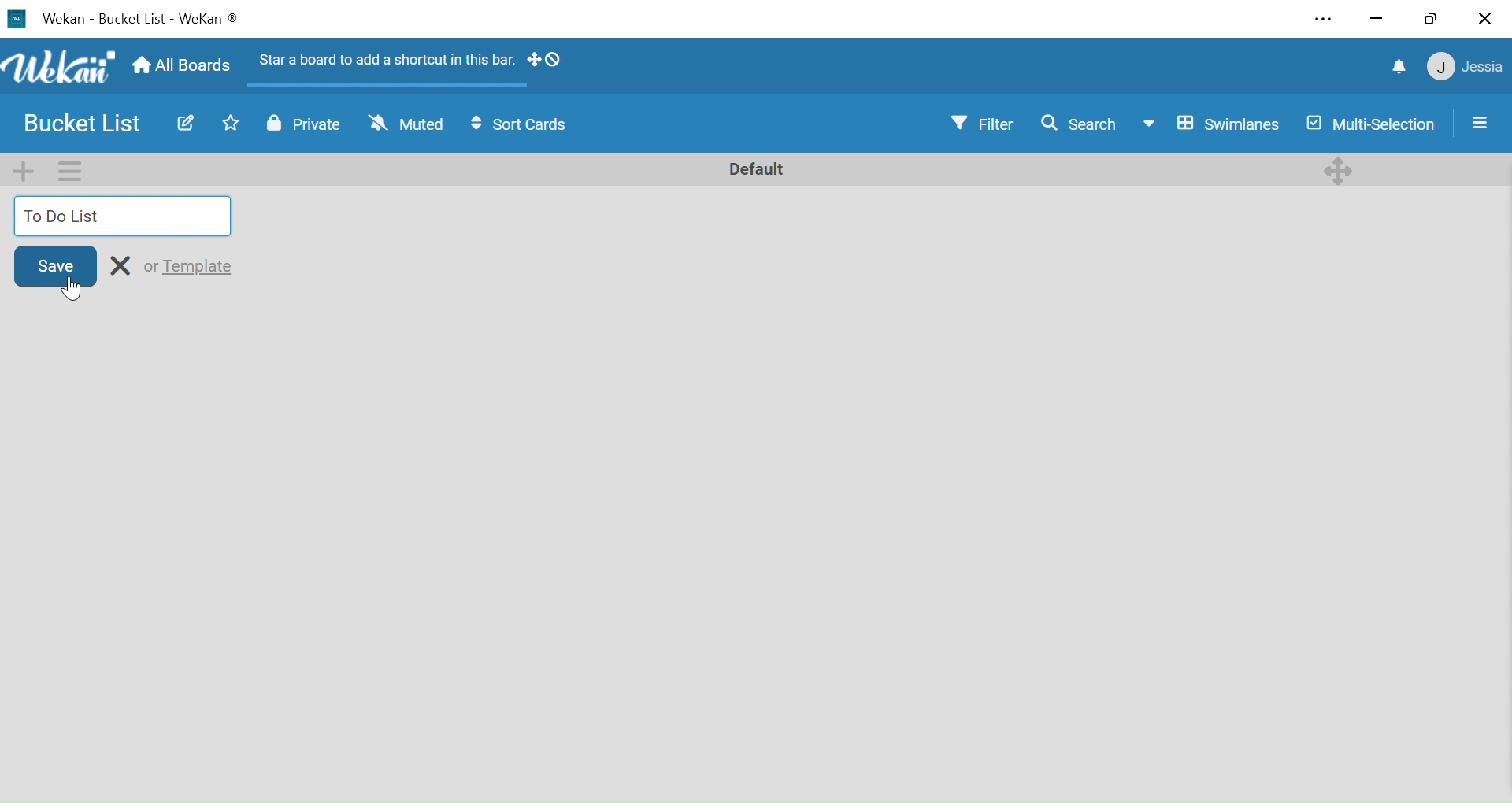 The width and height of the screenshot is (1512, 803). Describe the element at coordinates (1484, 68) in the screenshot. I see `Username` at that location.